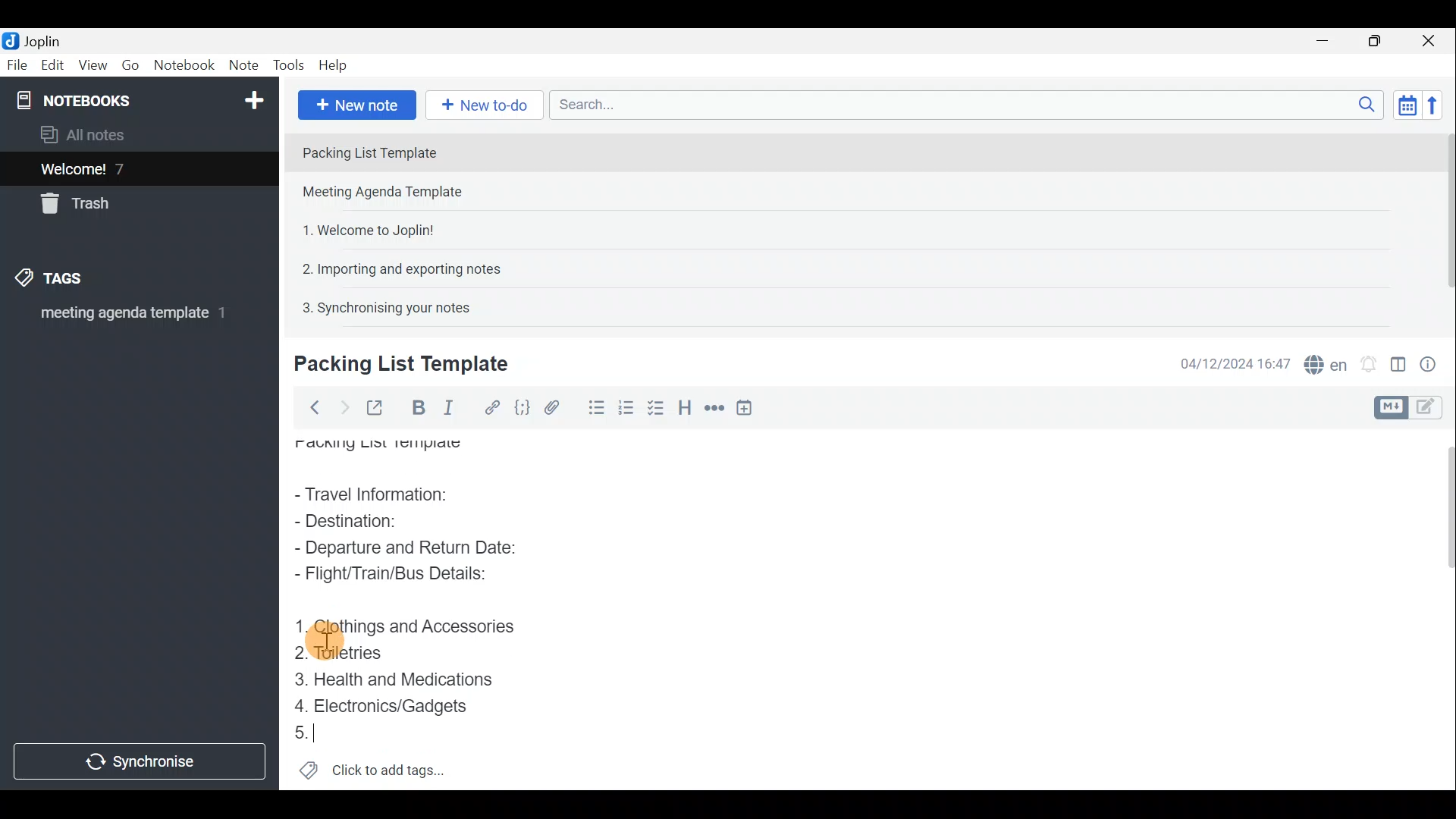 The image size is (1456, 819). What do you see at coordinates (408, 629) in the screenshot?
I see `Clothings and Accessories` at bounding box center [408, 629].